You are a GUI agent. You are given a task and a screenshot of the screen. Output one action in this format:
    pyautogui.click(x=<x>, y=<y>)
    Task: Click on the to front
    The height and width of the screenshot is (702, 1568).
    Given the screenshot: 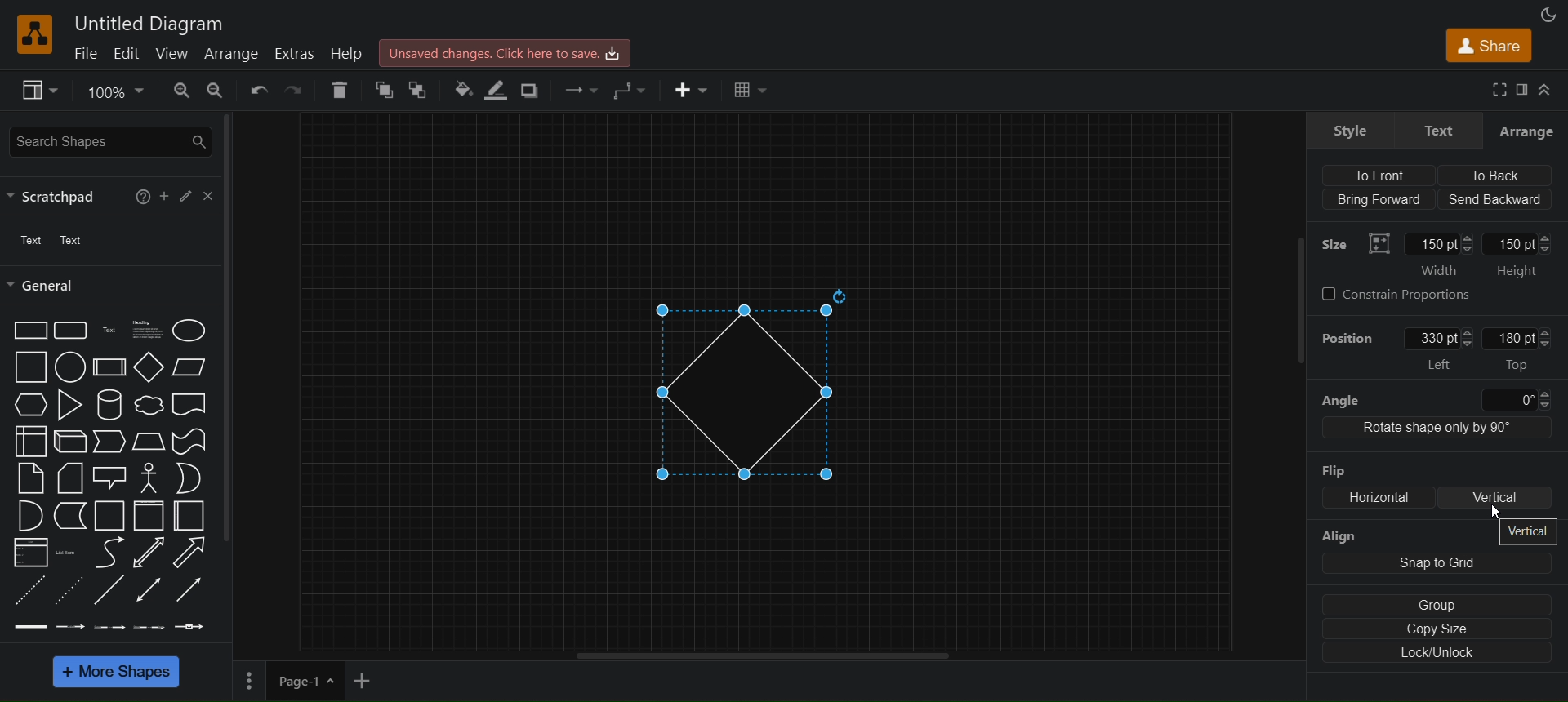 What is the action you would take?
    pyautogui.click(x=385, y=88)
    